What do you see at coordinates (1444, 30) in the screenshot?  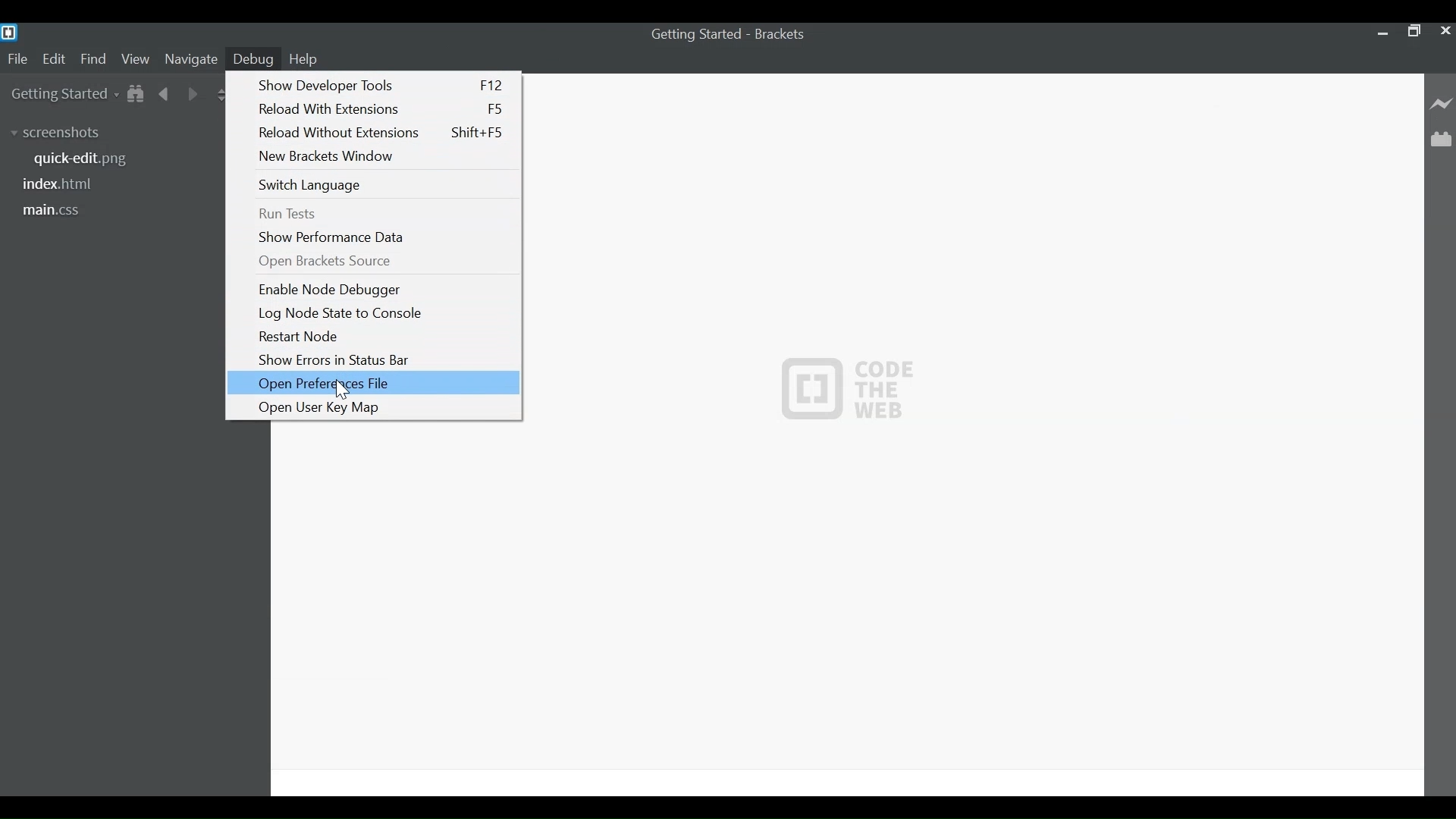 I see `Close` at bounding box center [1444, 30].